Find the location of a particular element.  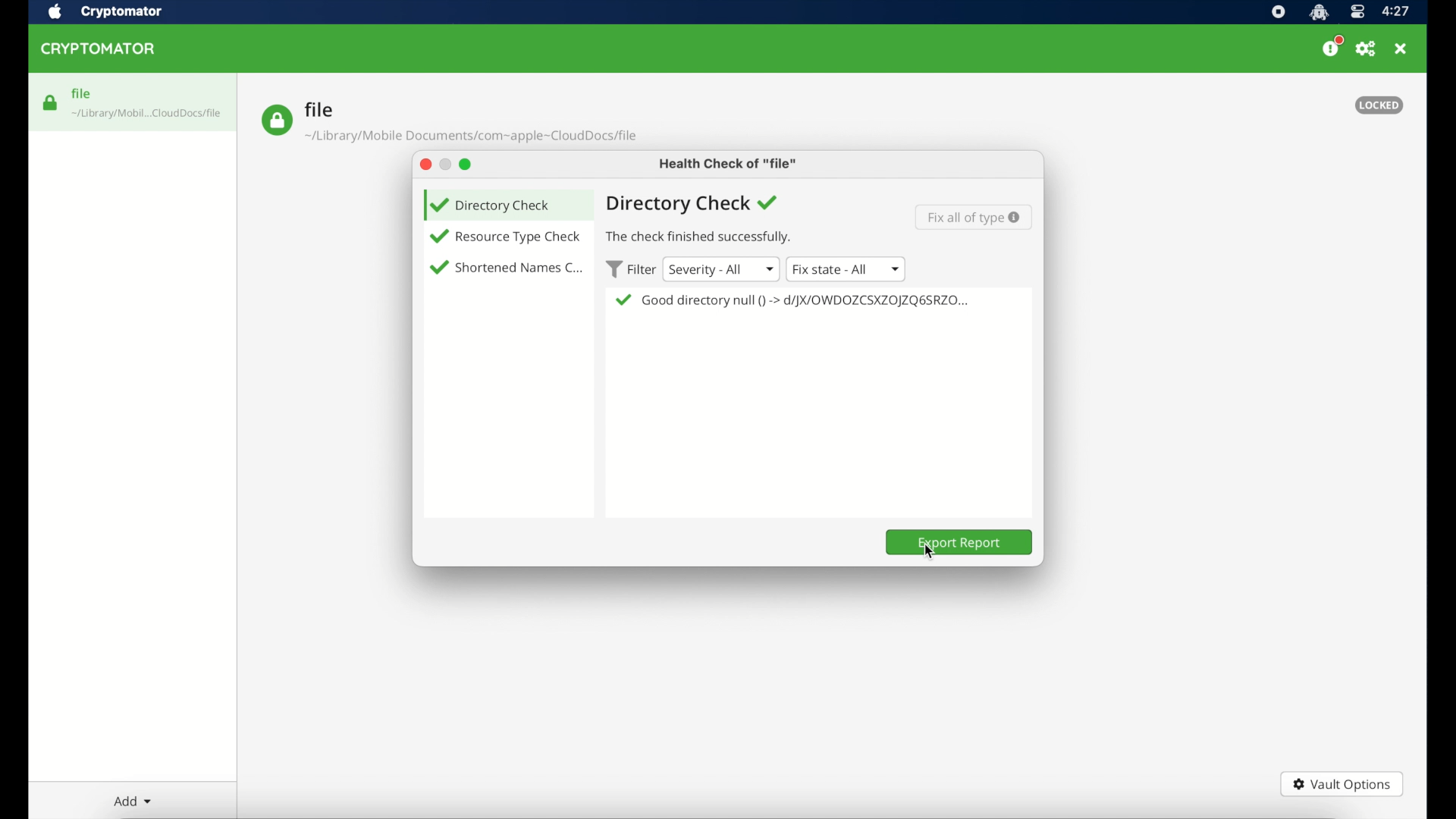

fix all of  type is located at coordinates (975, 216).